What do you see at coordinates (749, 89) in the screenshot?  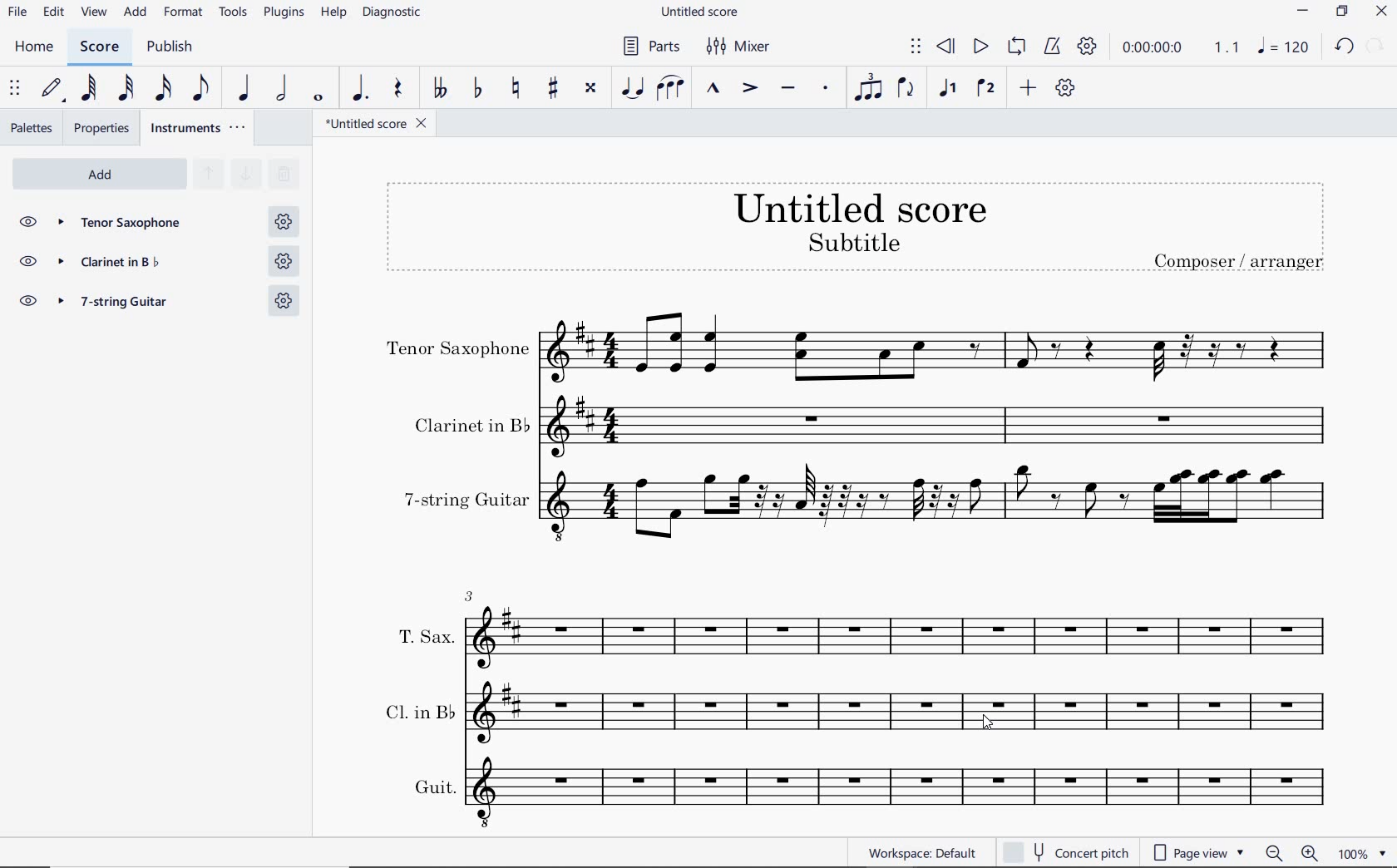 I see `ACCENT` at bounding box center [749, 89].